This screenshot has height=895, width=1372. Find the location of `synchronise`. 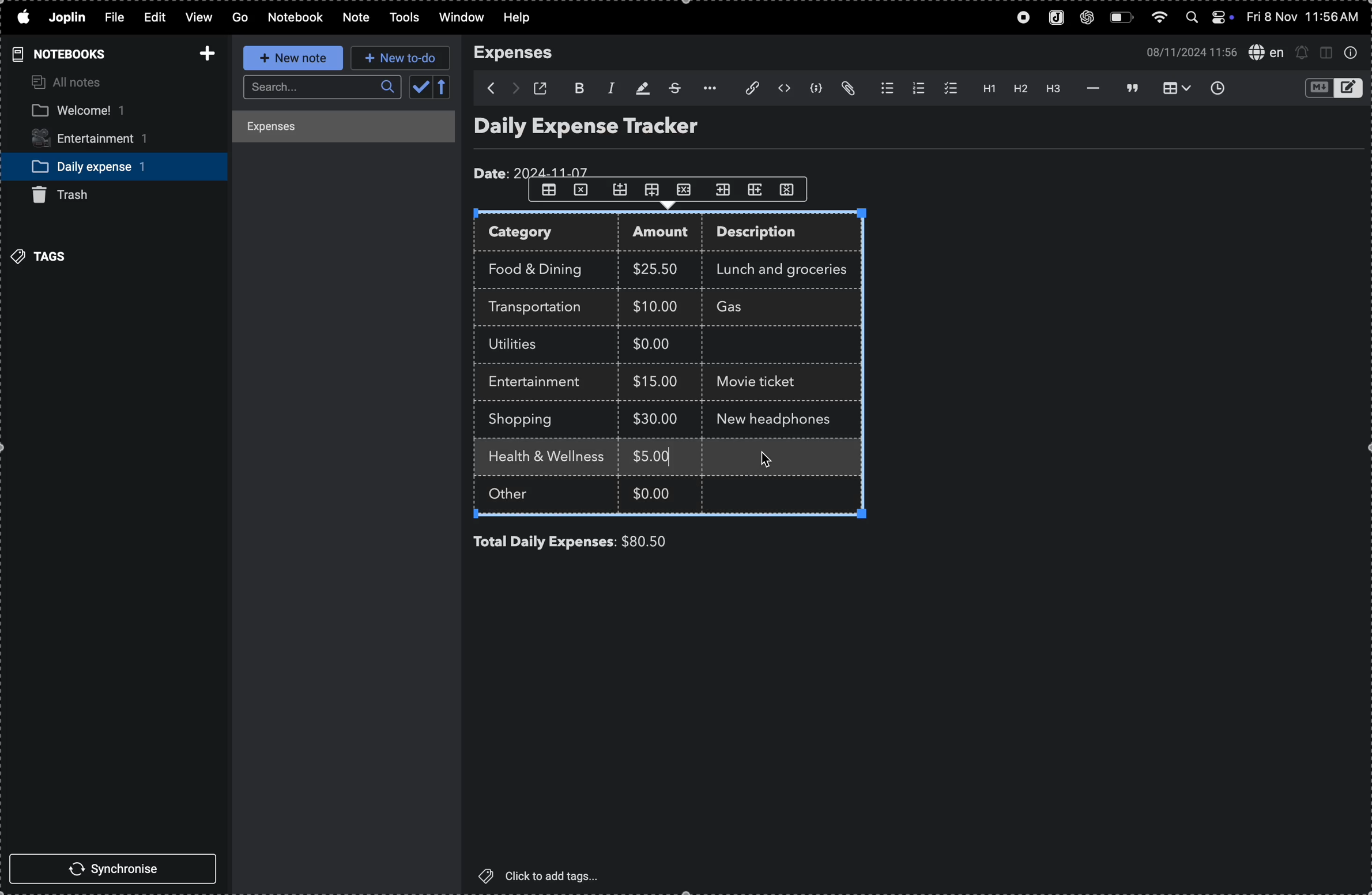

synchronise is located at coordinates (118, 870).